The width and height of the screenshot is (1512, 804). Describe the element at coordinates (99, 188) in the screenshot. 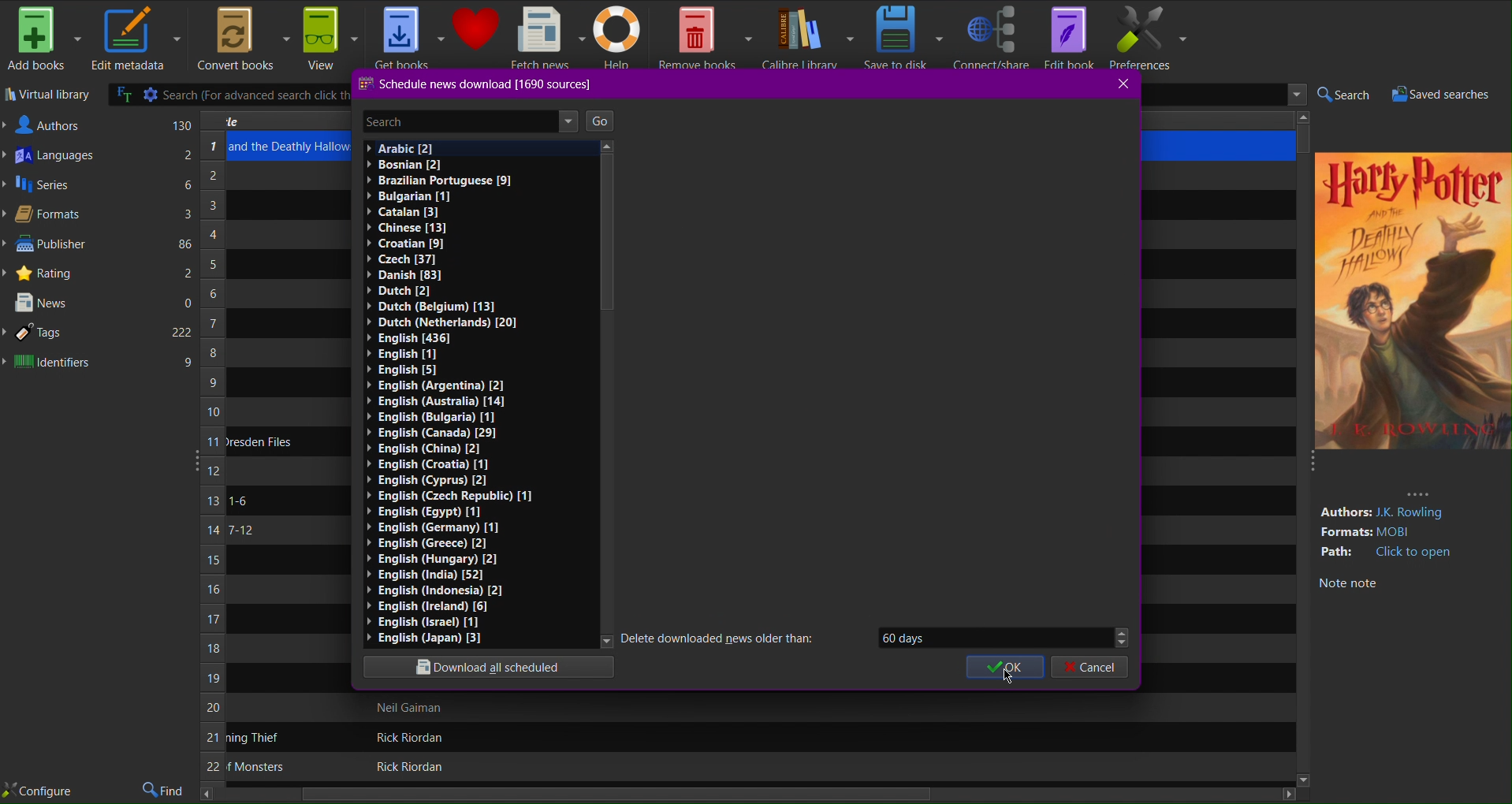

I see `Series` at that location.